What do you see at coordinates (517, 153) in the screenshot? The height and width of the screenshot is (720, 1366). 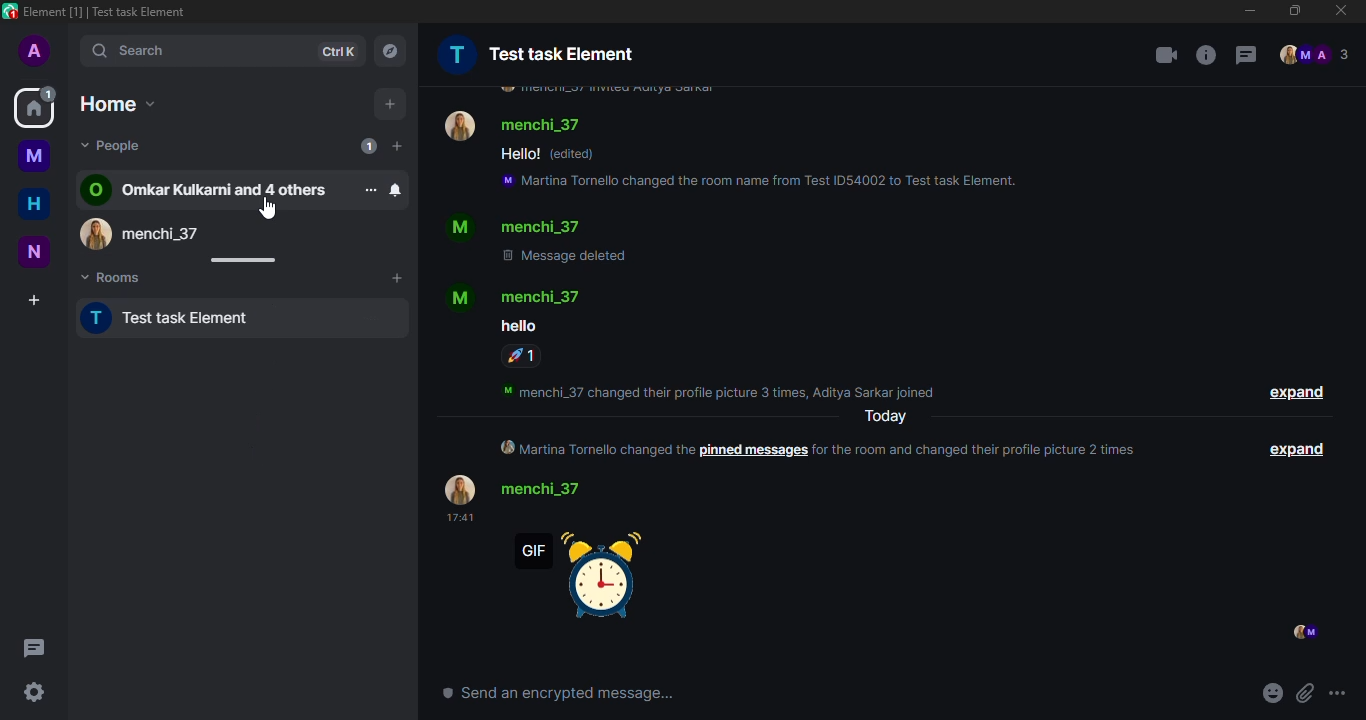 I see `hello!` at bounding box center [517, 153].